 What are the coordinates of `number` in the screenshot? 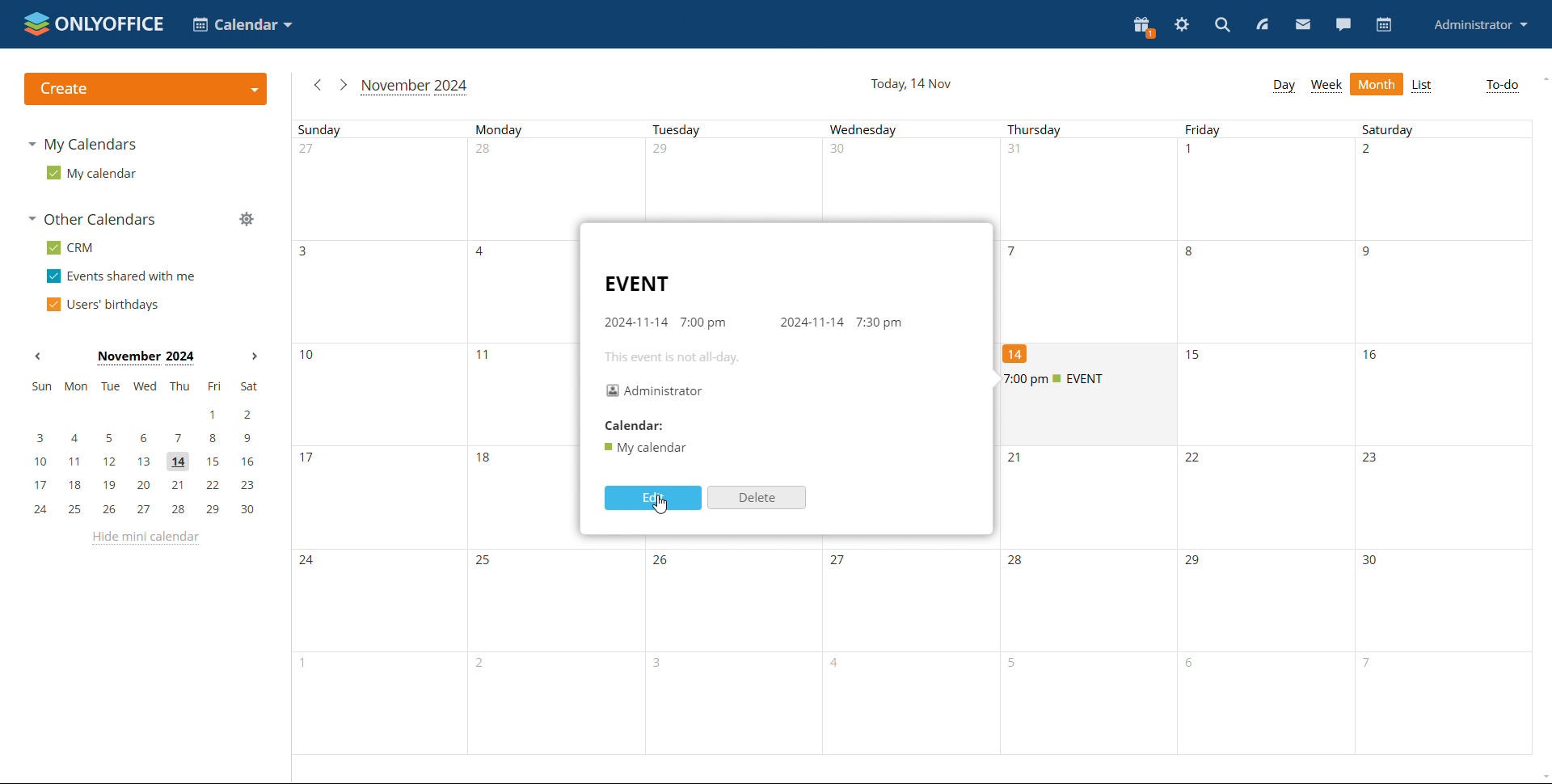 It's located at (1195, 564).